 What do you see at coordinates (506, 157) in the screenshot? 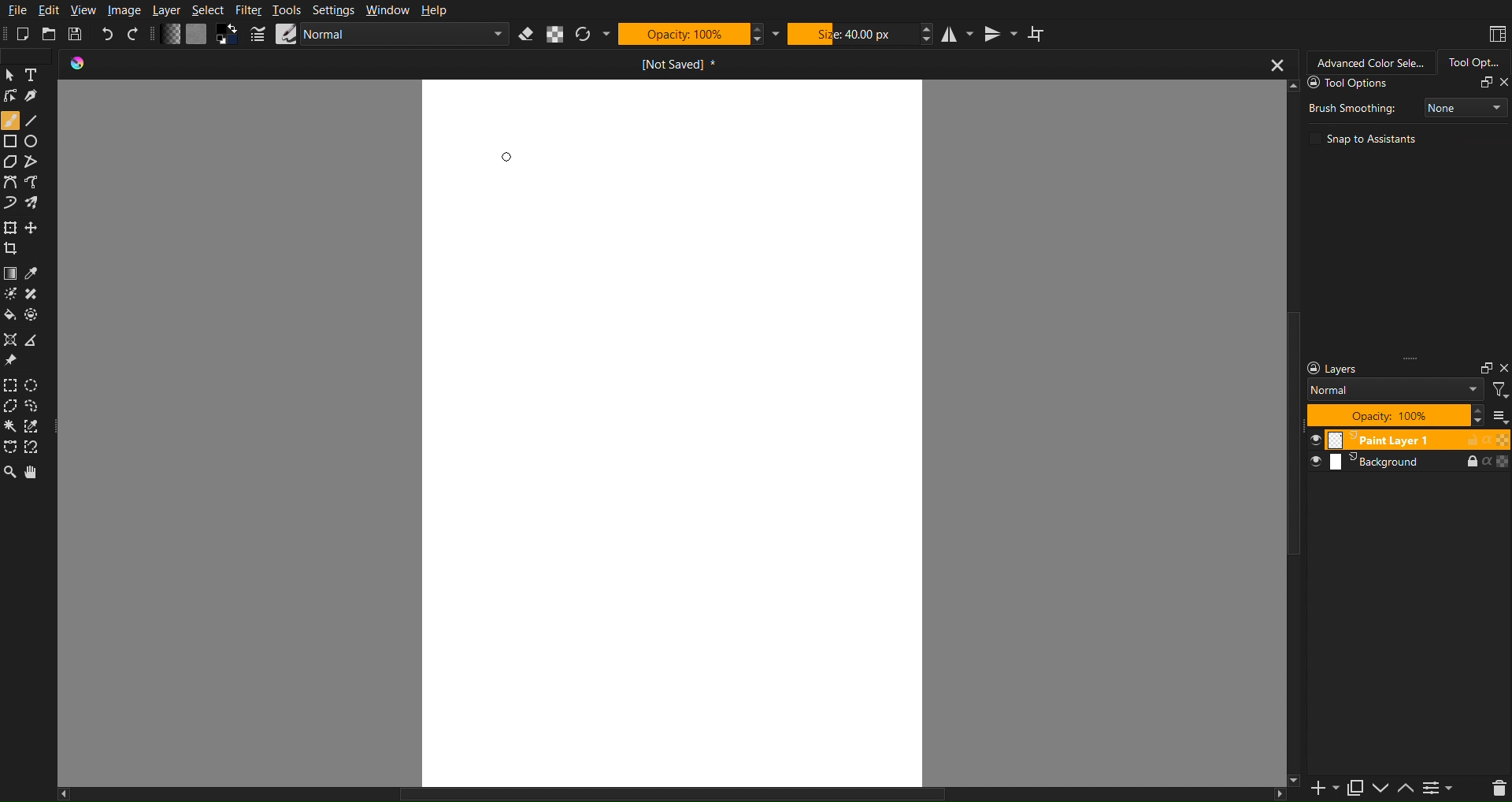
I see `Cursor` at bounding box center [506, 157].